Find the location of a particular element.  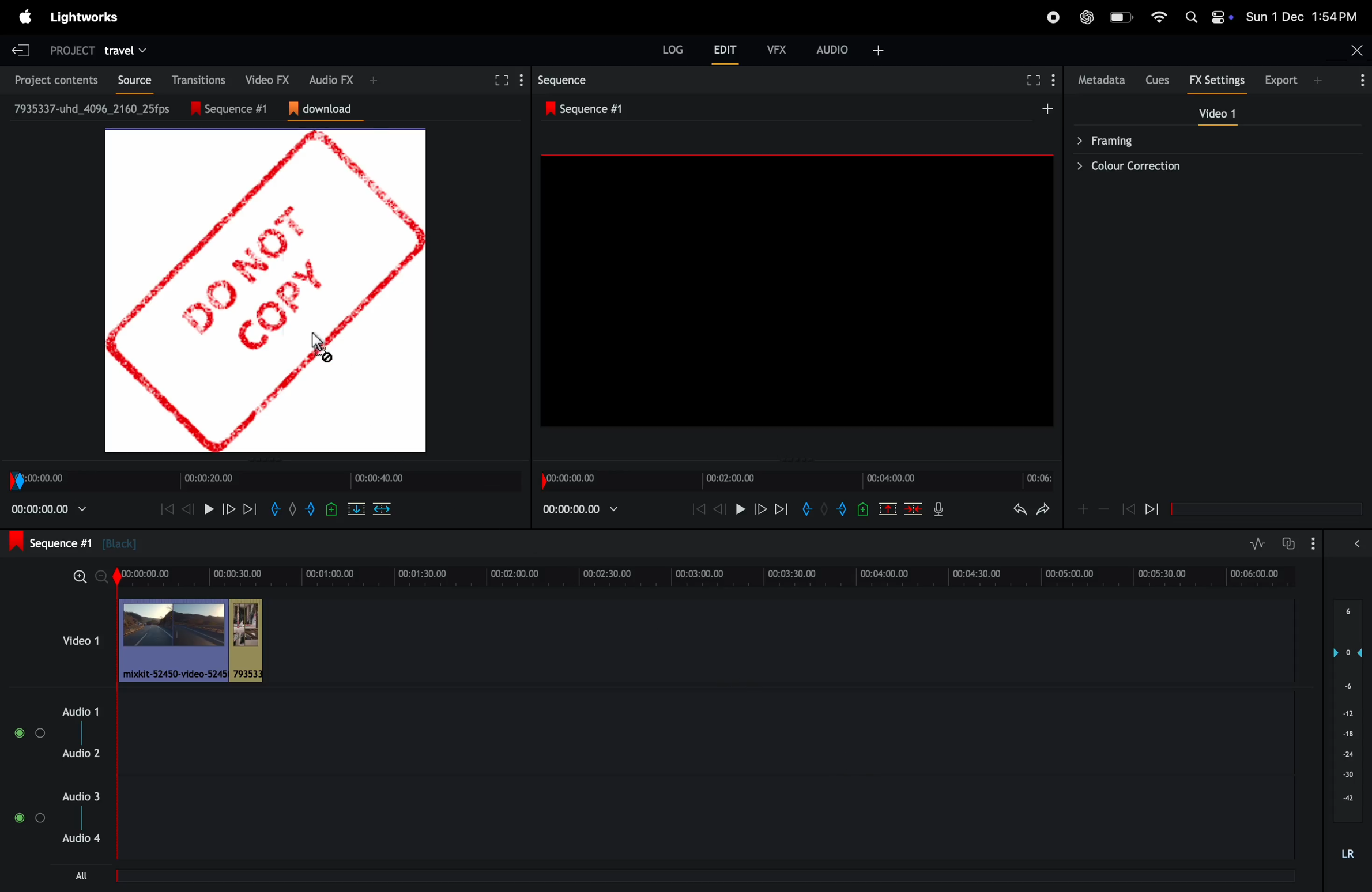

Horizontal slide bar is located at coordinates (702, 876).